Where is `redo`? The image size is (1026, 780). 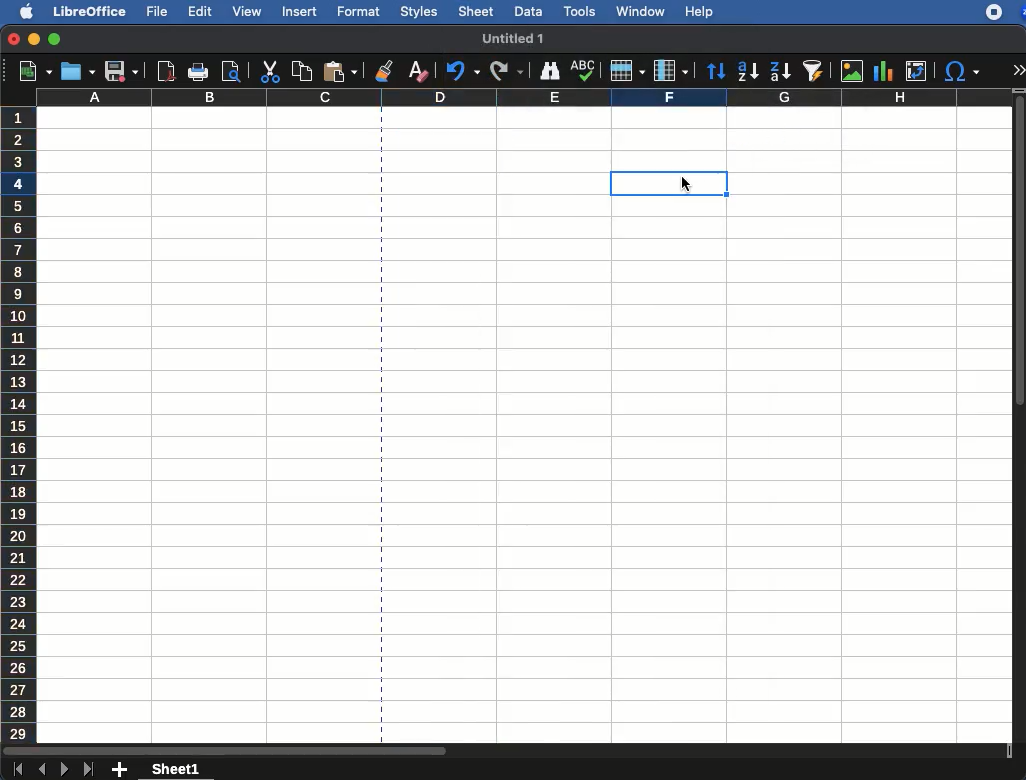 redo is located at coordinates (507, 71).